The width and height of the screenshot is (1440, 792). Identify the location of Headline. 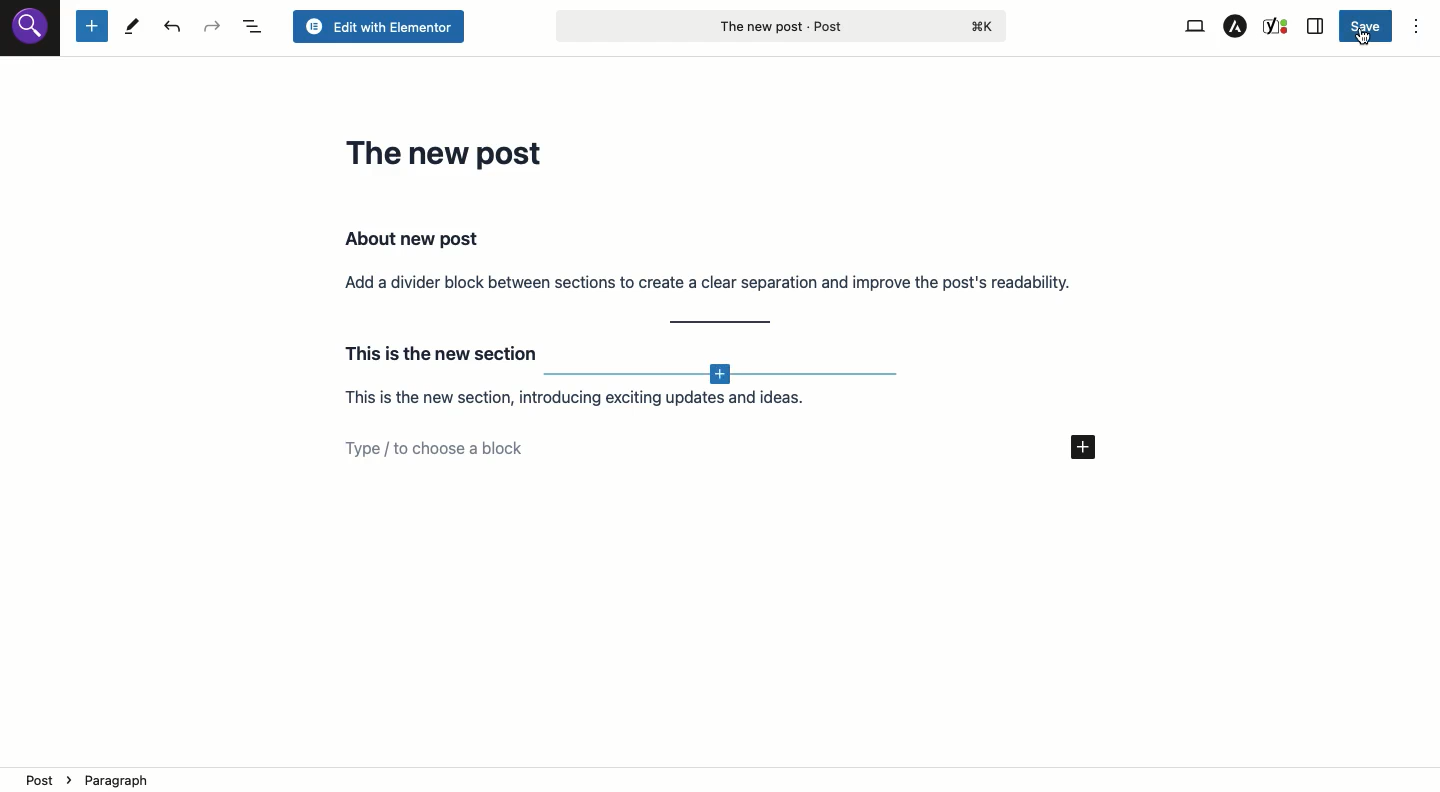
(449, 152).